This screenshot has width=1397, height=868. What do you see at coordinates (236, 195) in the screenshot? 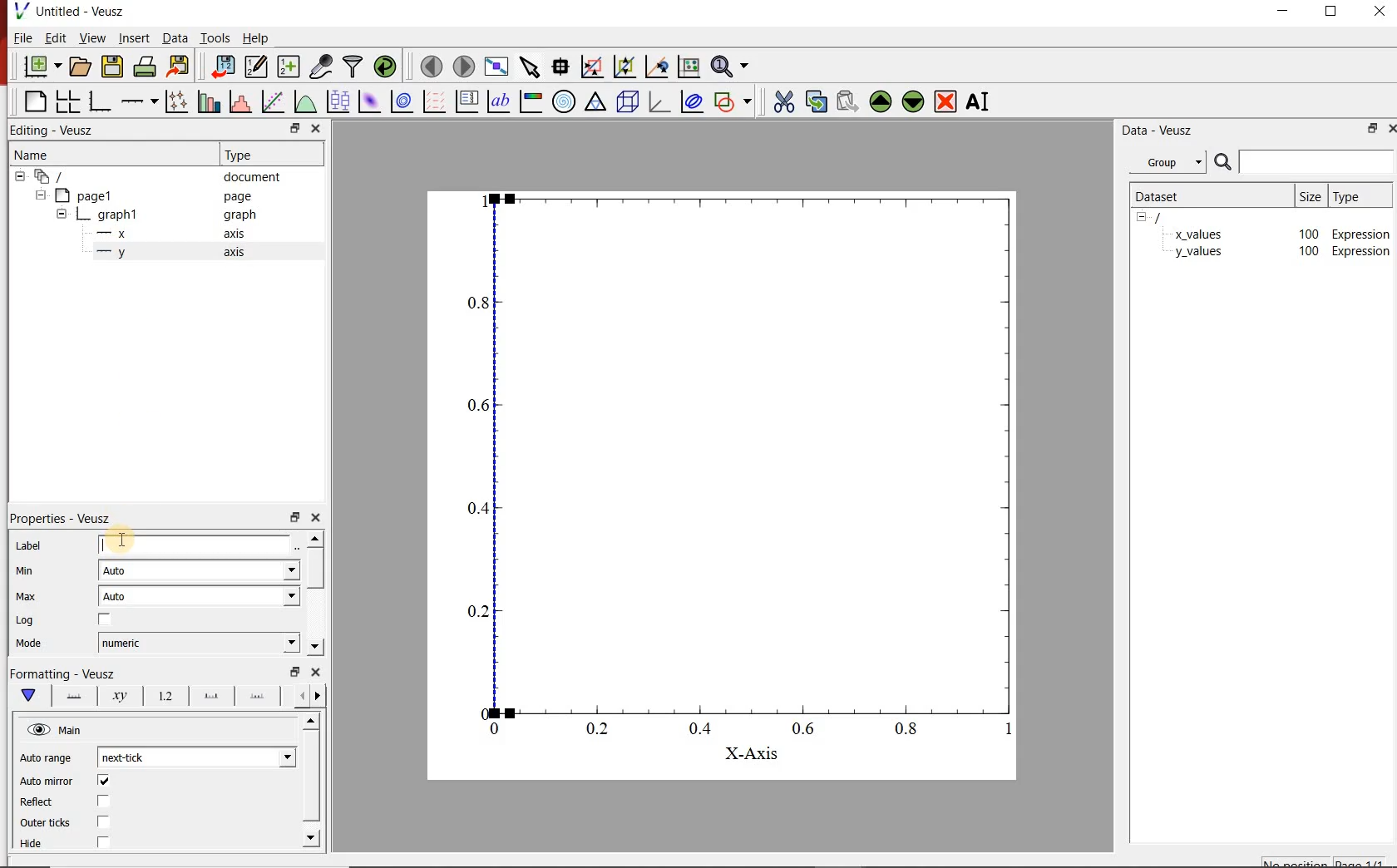
I see `page` at bounding box center [236, 195].